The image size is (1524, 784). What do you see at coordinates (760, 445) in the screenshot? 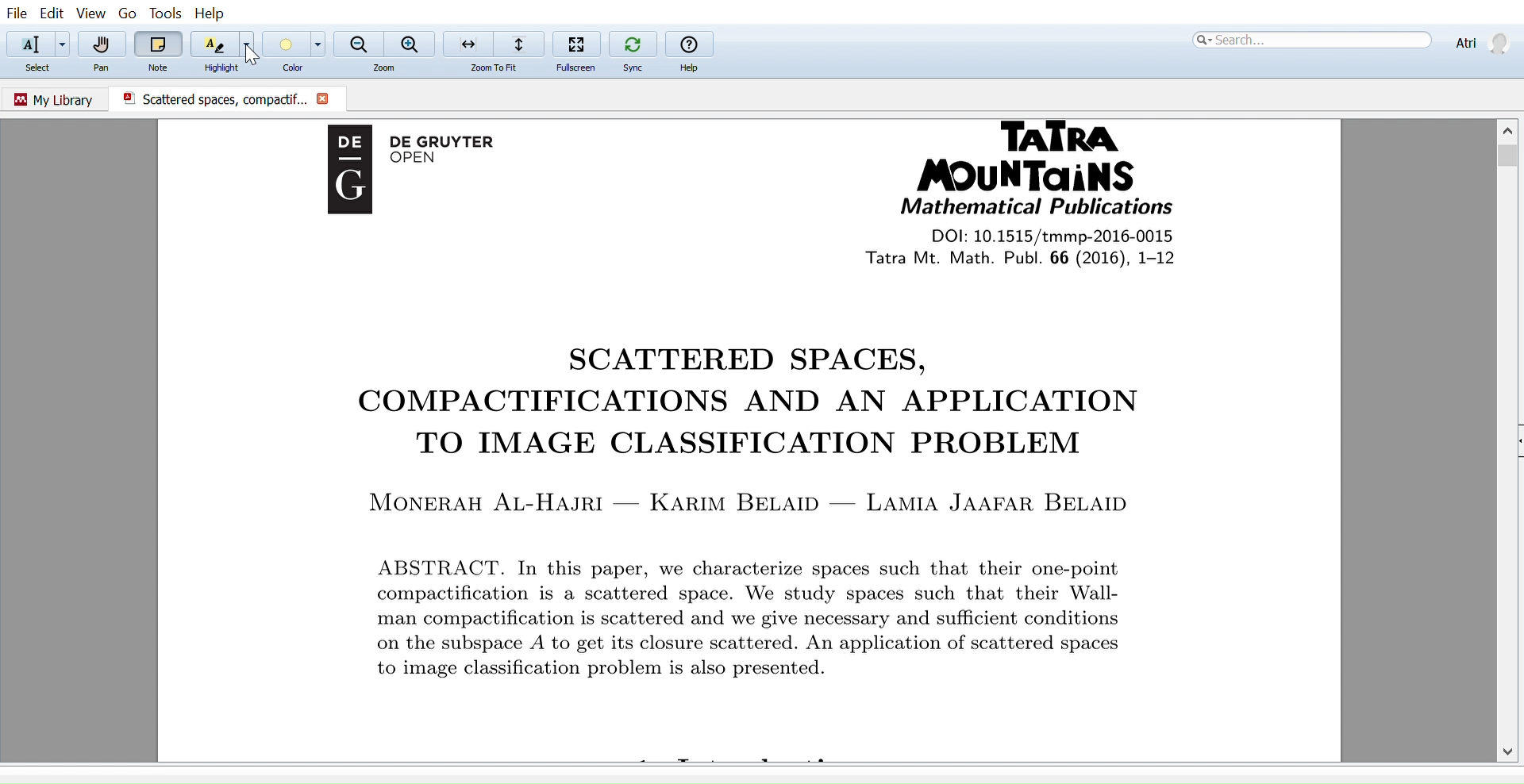
I see `TO IMAGE CLASSIFICATION PROBLEM` at bounding box center [760, 445].